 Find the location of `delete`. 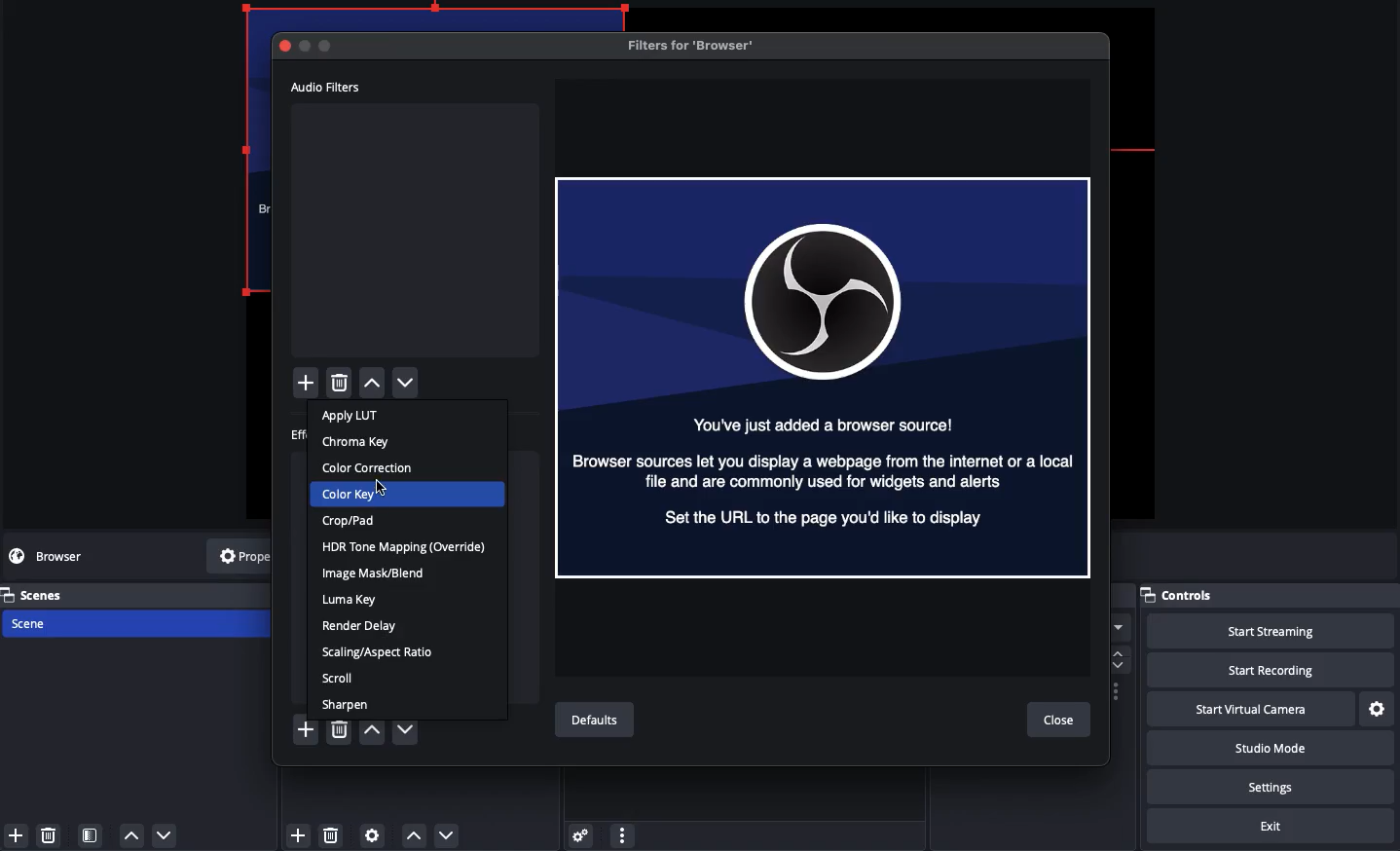

delete is located at coordinates (336, 836).